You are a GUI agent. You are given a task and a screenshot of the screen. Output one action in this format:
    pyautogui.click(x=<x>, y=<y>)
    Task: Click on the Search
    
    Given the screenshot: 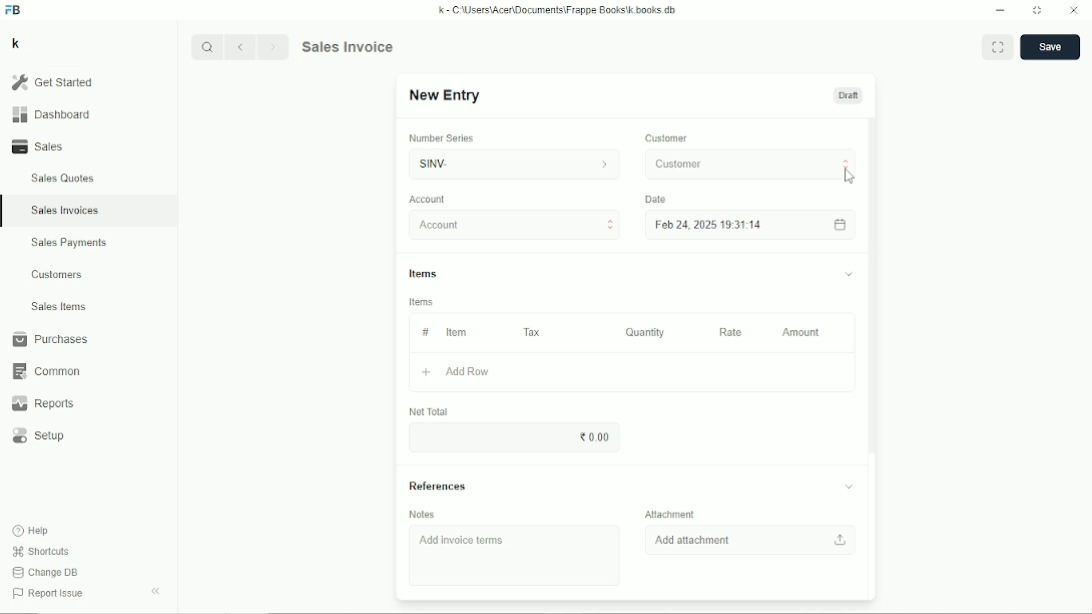 What is the action you would take?
    pyautogui.click(x=208, y=47)
    